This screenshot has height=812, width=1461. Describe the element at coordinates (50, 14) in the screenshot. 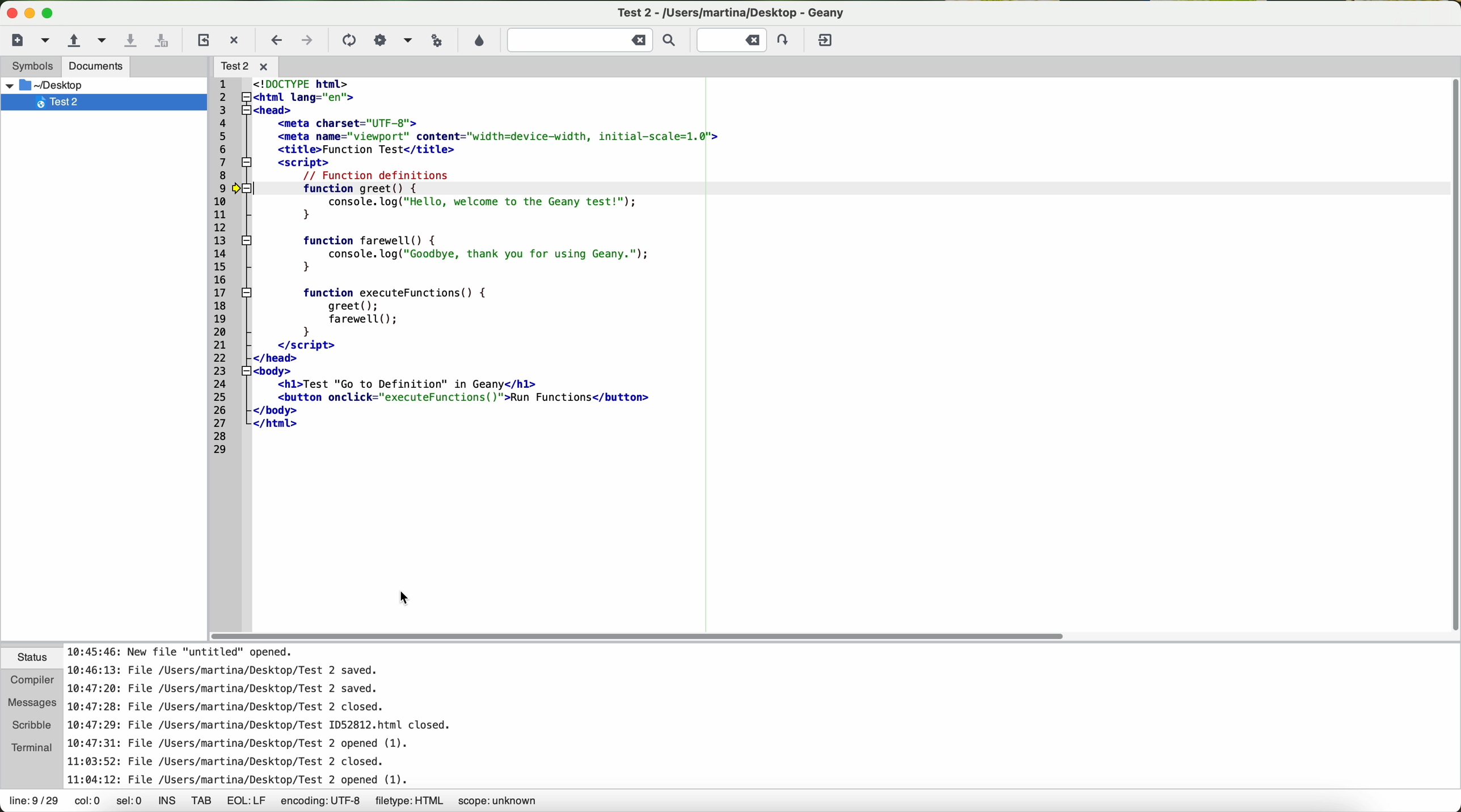

I see `maximize` at that location.